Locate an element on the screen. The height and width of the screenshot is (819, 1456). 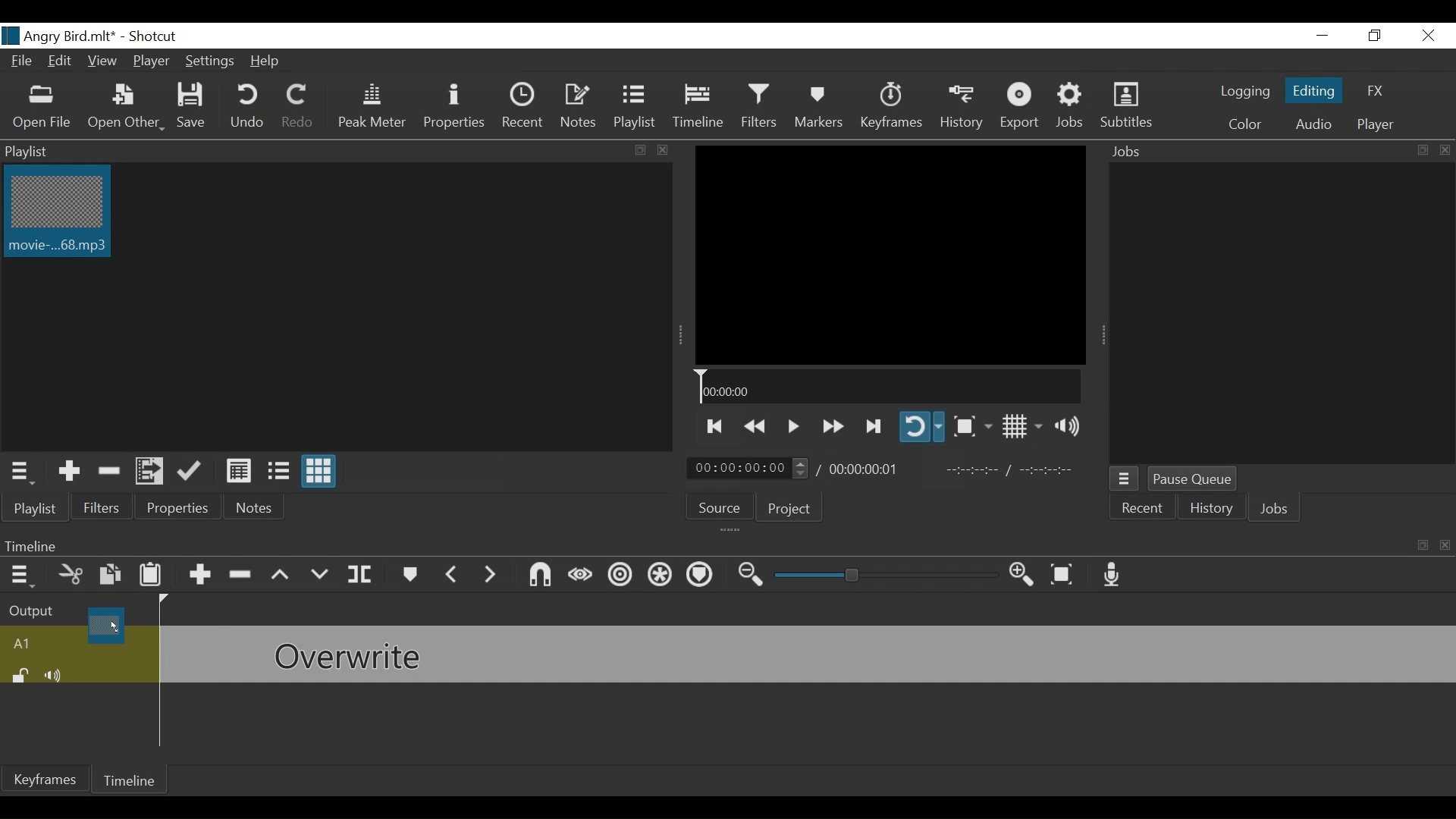
History is located at coordinates (1210, 510).